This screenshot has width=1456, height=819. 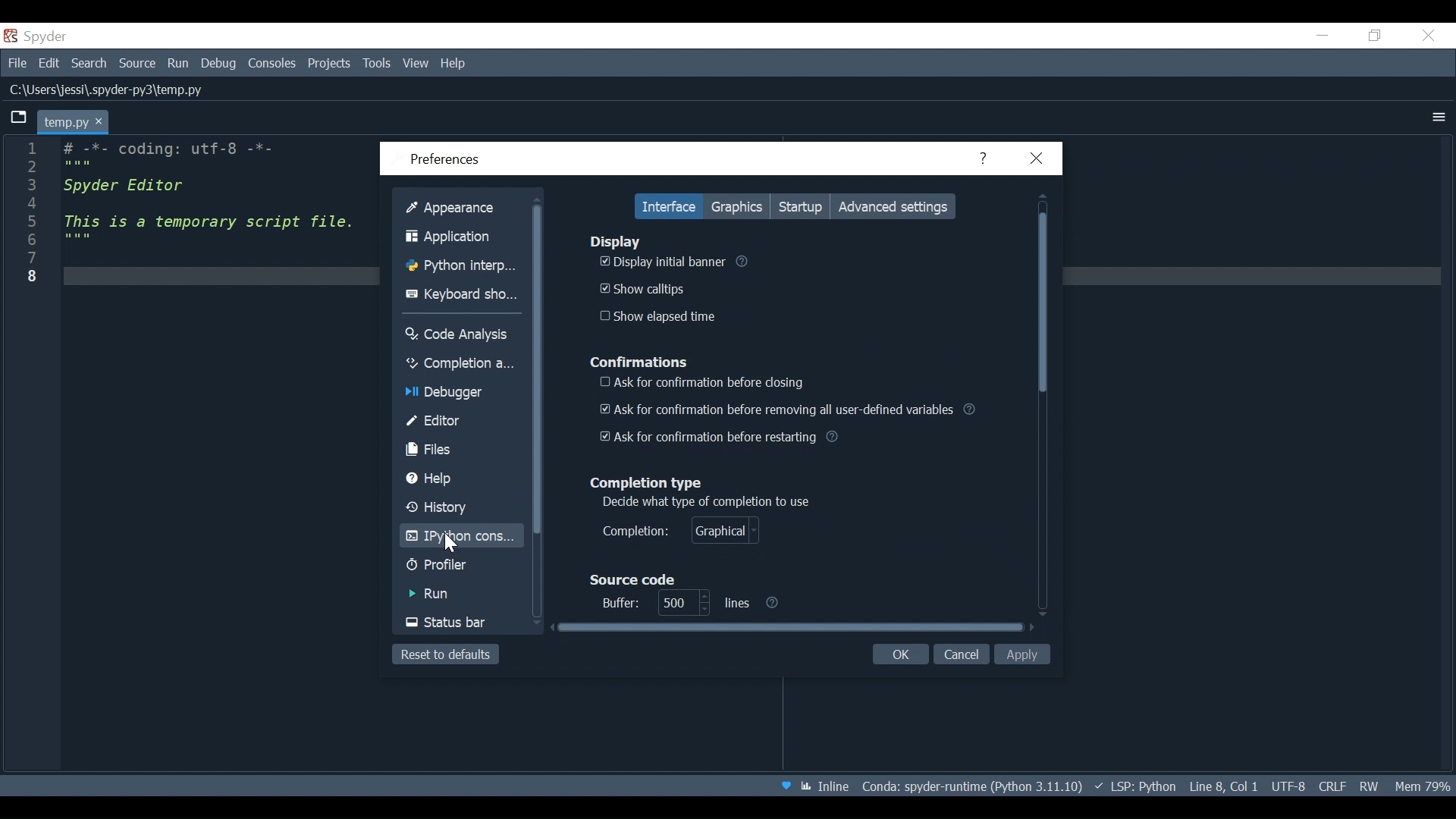 What do you see at coordinates (1244, 788) in the screenshot?
I see `Cursor Position` at bounding box center [1244, 788].